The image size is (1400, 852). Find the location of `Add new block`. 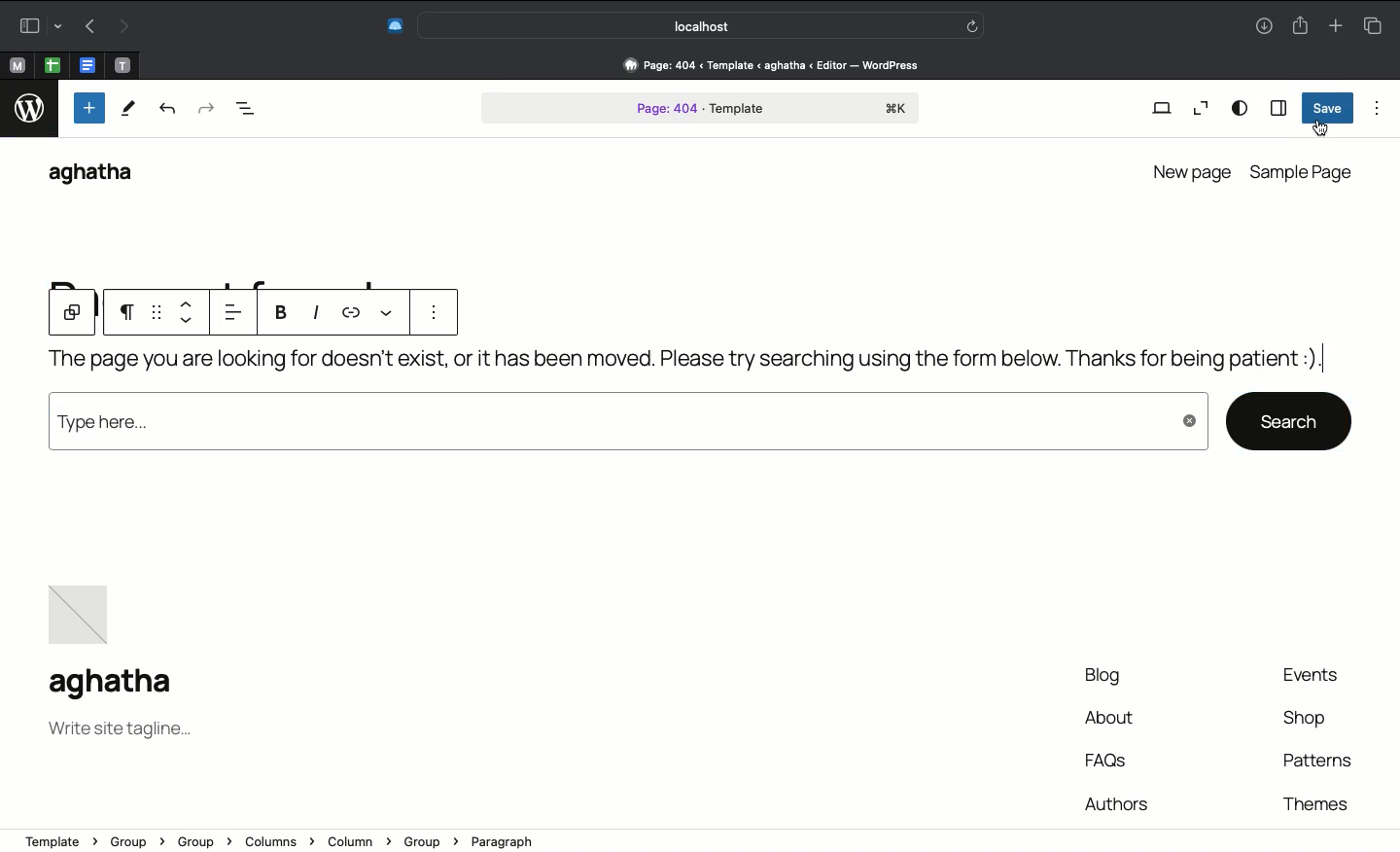

Add new block is located at coordinates (87, 108).